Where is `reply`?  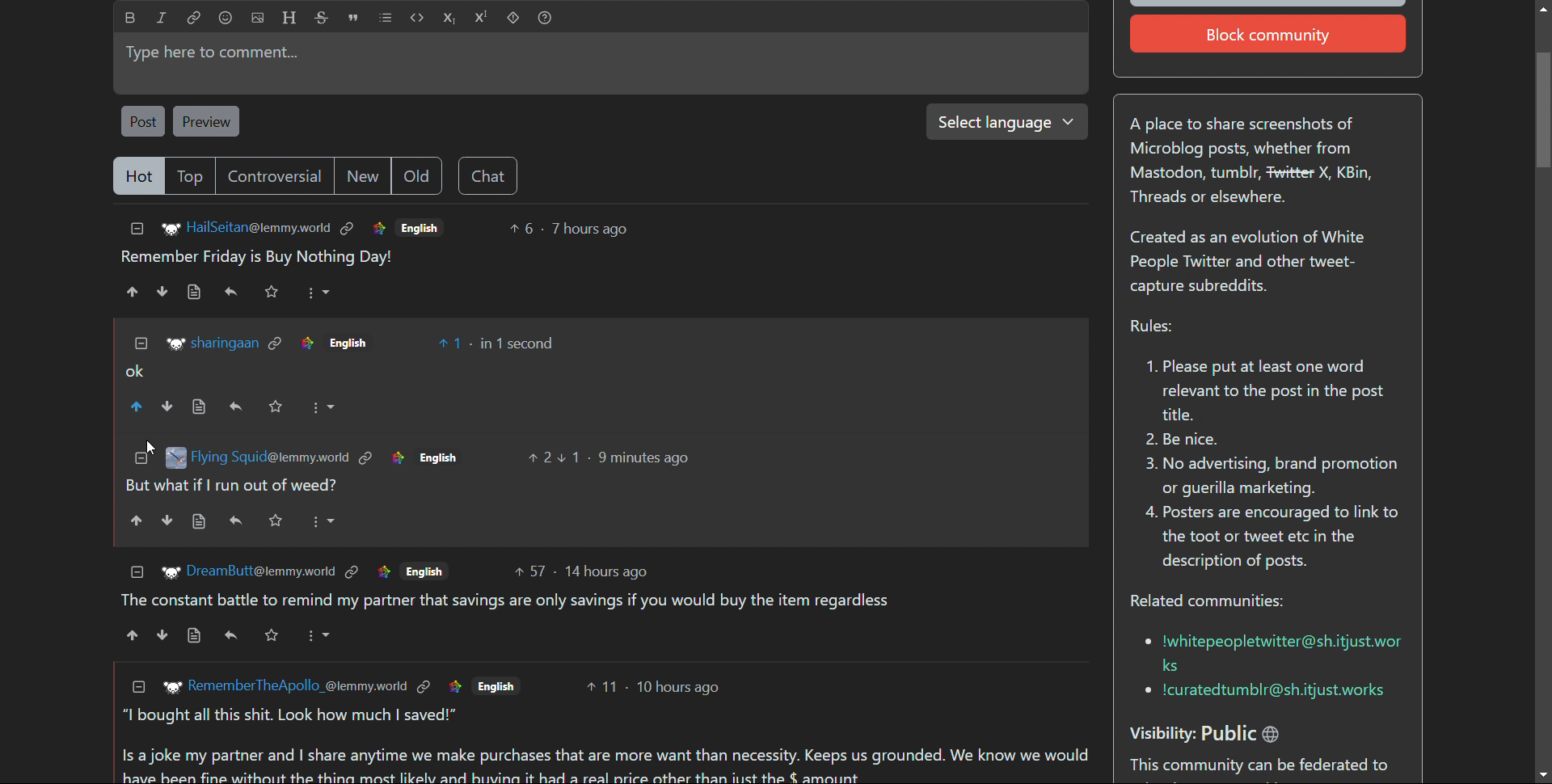 reply is located at coordinates (236, 408).